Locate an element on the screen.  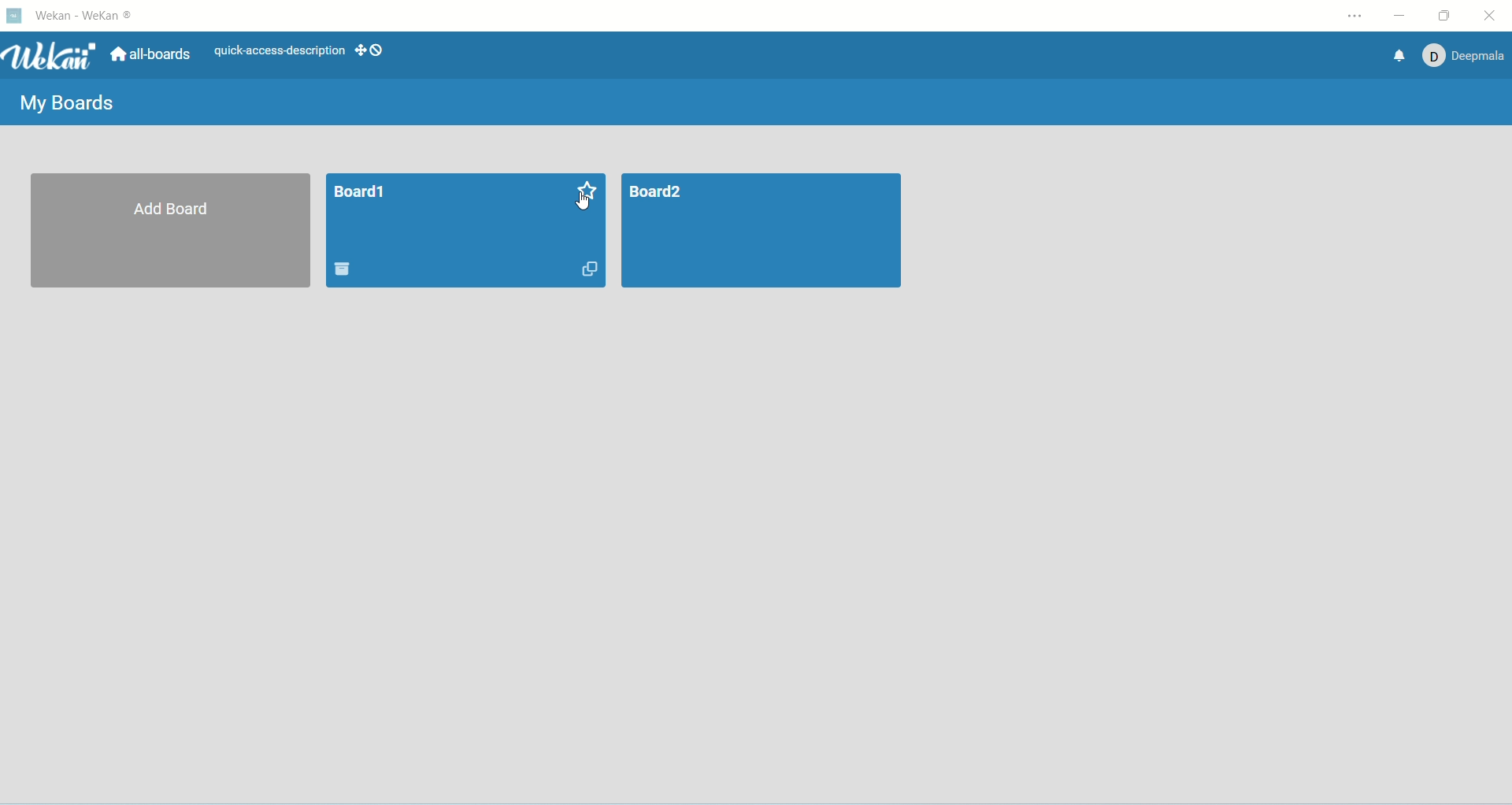
my boards is located at coordinates (64, 102).